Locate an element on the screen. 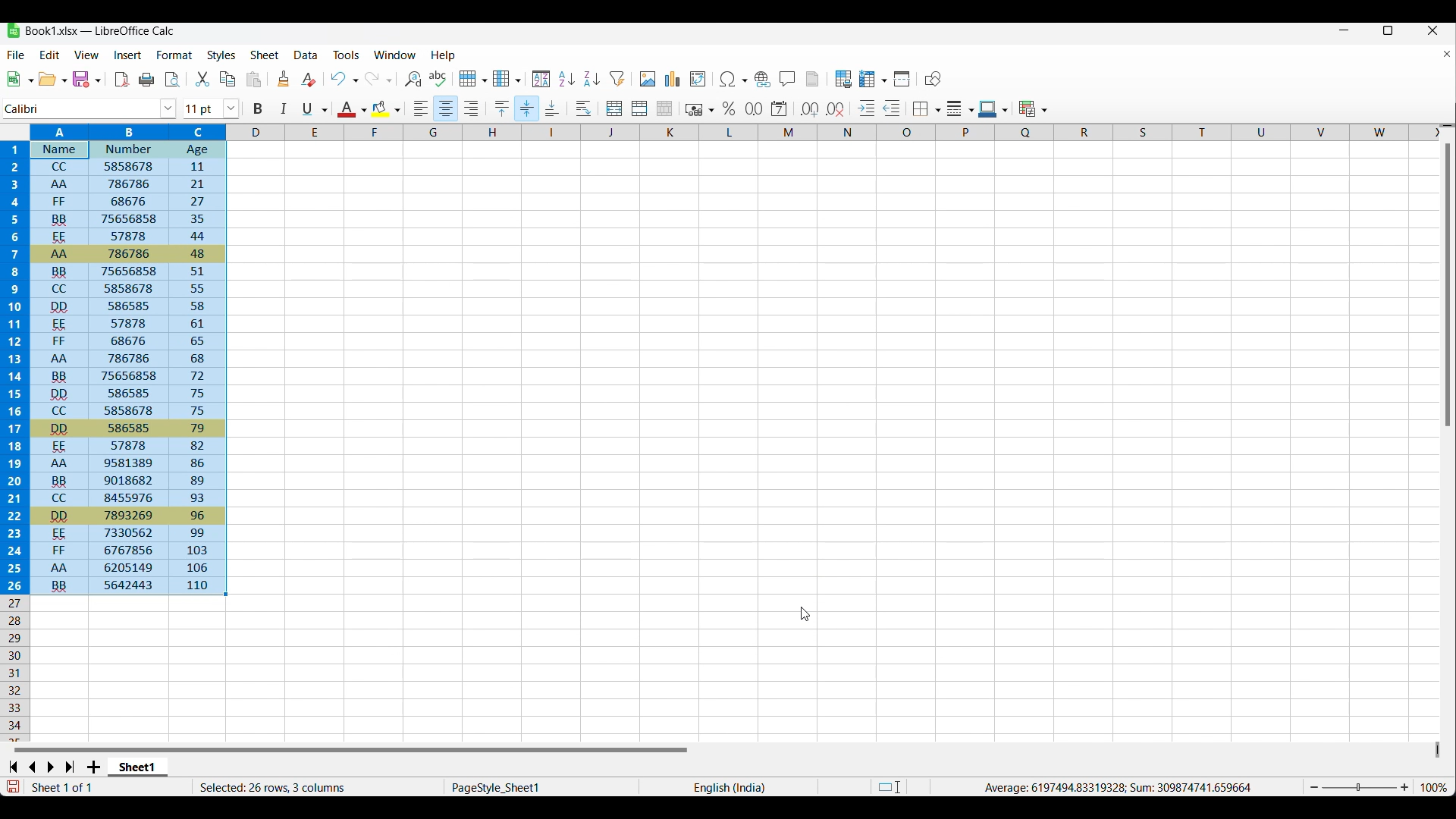 The width and height of the screenshot is (1456, 819). Copy is located at coordinates (227, 79).